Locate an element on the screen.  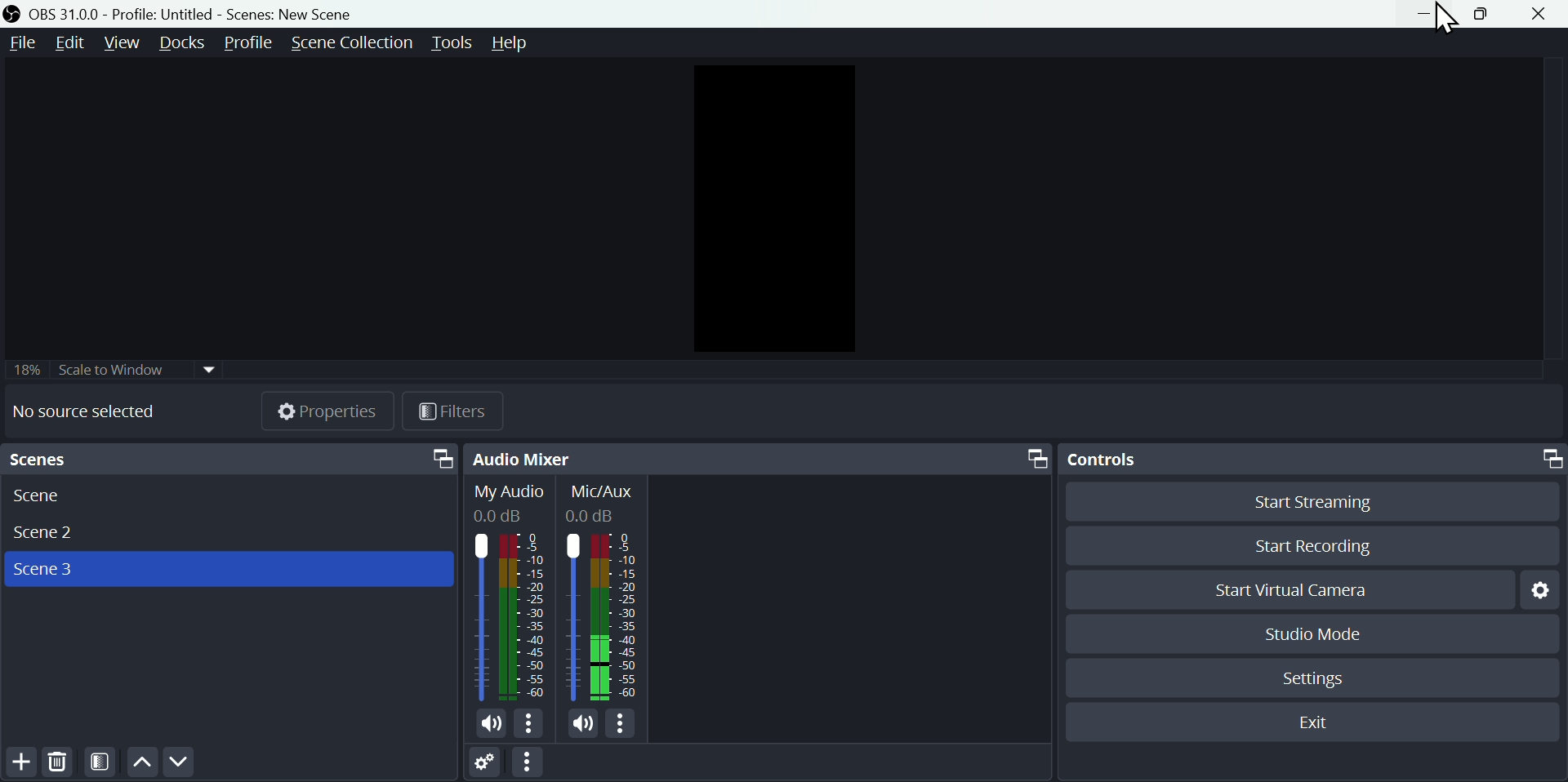
Start virtual camera is located at coordinates (1290, 587).